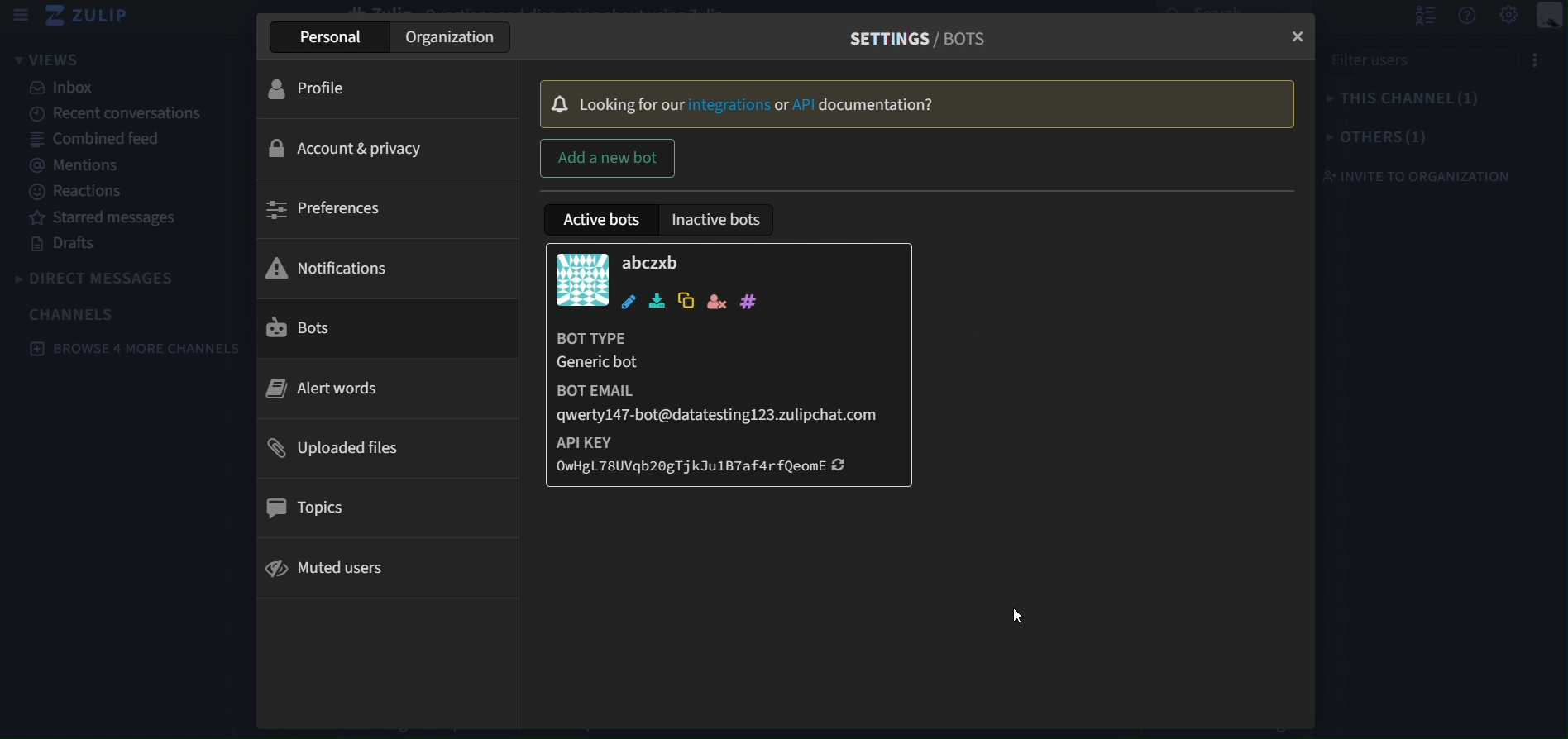  What do you see at coordinates (1294, 31) in the screenshot?
I see `close` at bounding box center [1294, 31].